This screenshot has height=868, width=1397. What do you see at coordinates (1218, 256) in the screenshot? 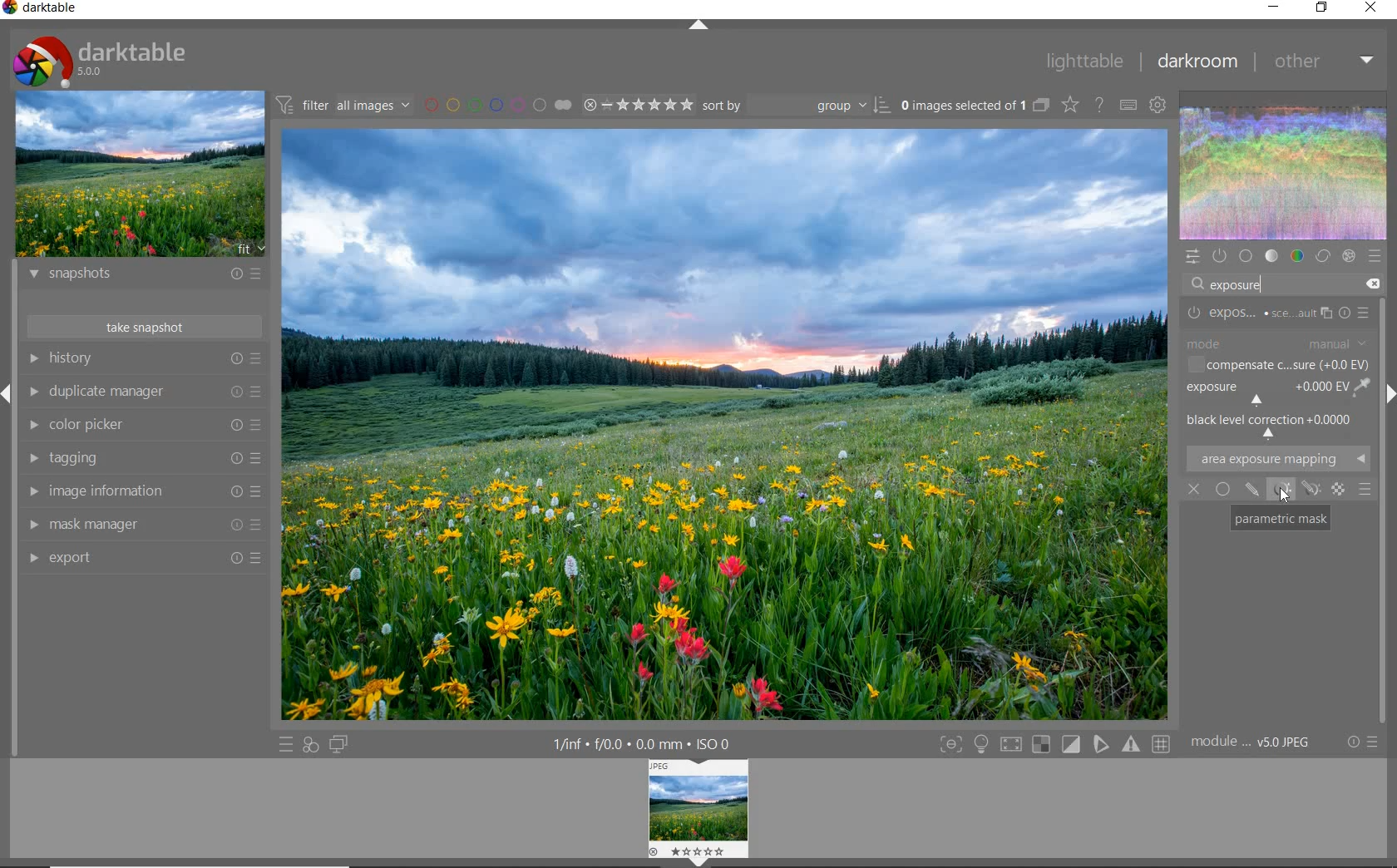
I see `show only active modules` at bounding box center [1218, 256].